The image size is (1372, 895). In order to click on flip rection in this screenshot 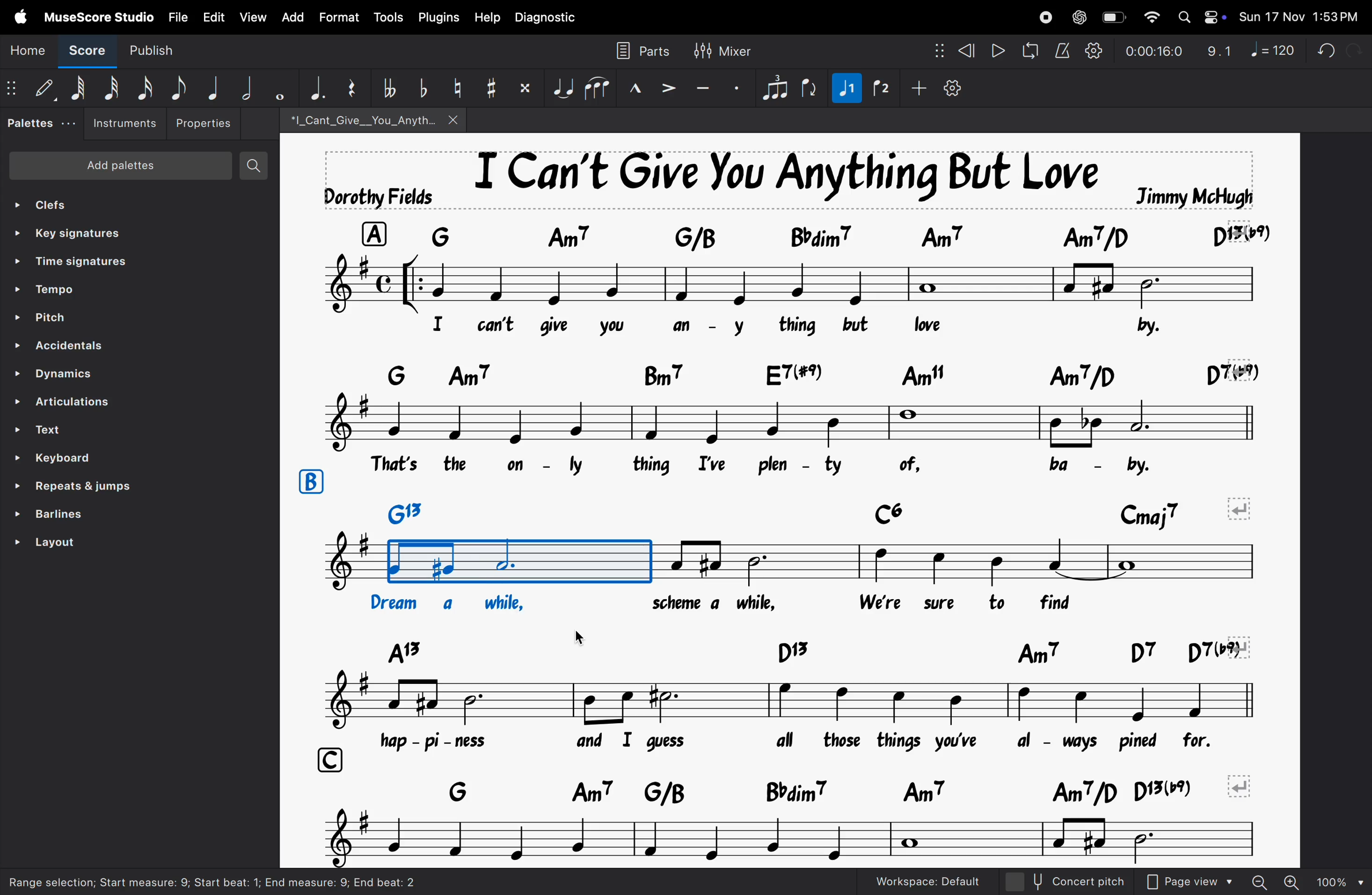, I will do `click(809, 89)`.